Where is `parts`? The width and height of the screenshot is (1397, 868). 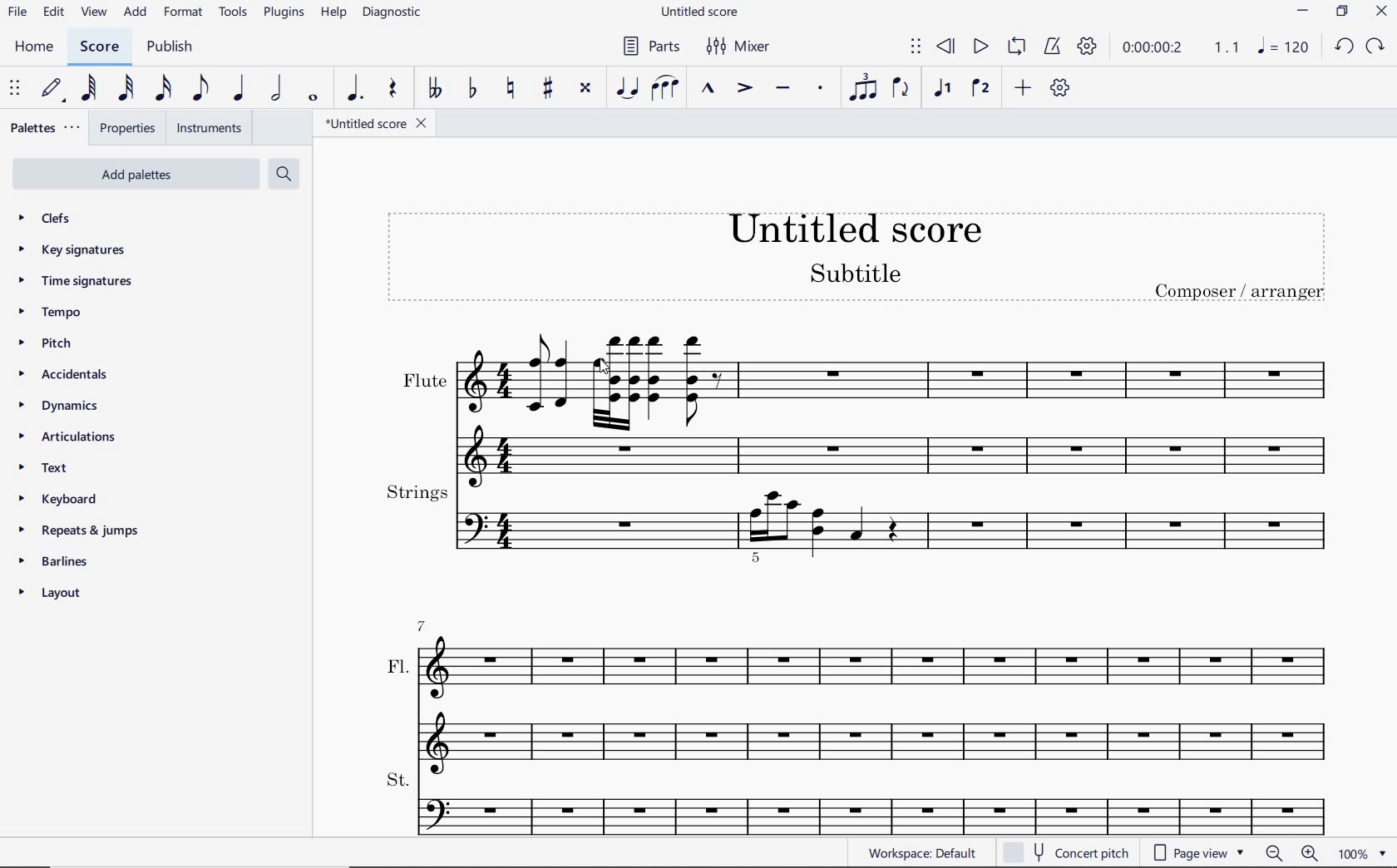 parts is located at coordinates (654, 49).